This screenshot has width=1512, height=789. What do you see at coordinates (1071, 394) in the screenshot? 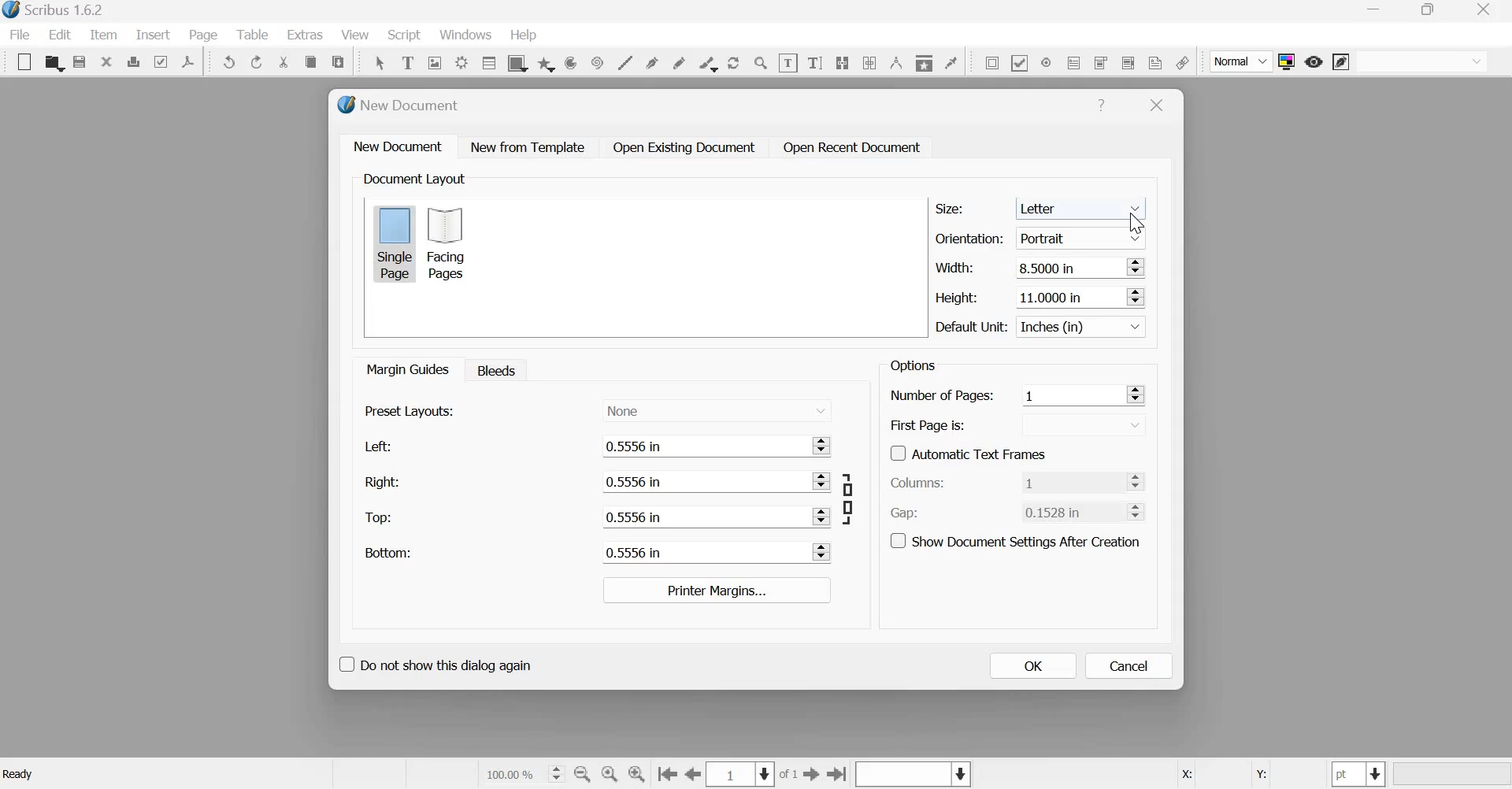
I see `1` at bounding box center [1071, 394].